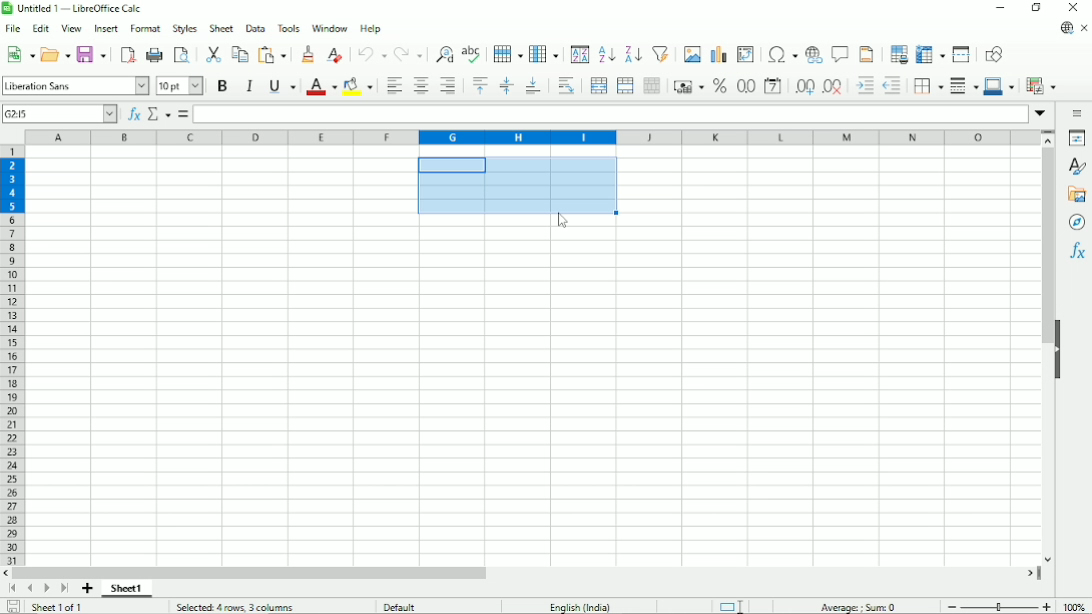  I want to click on Column headings, so click(532, 137).